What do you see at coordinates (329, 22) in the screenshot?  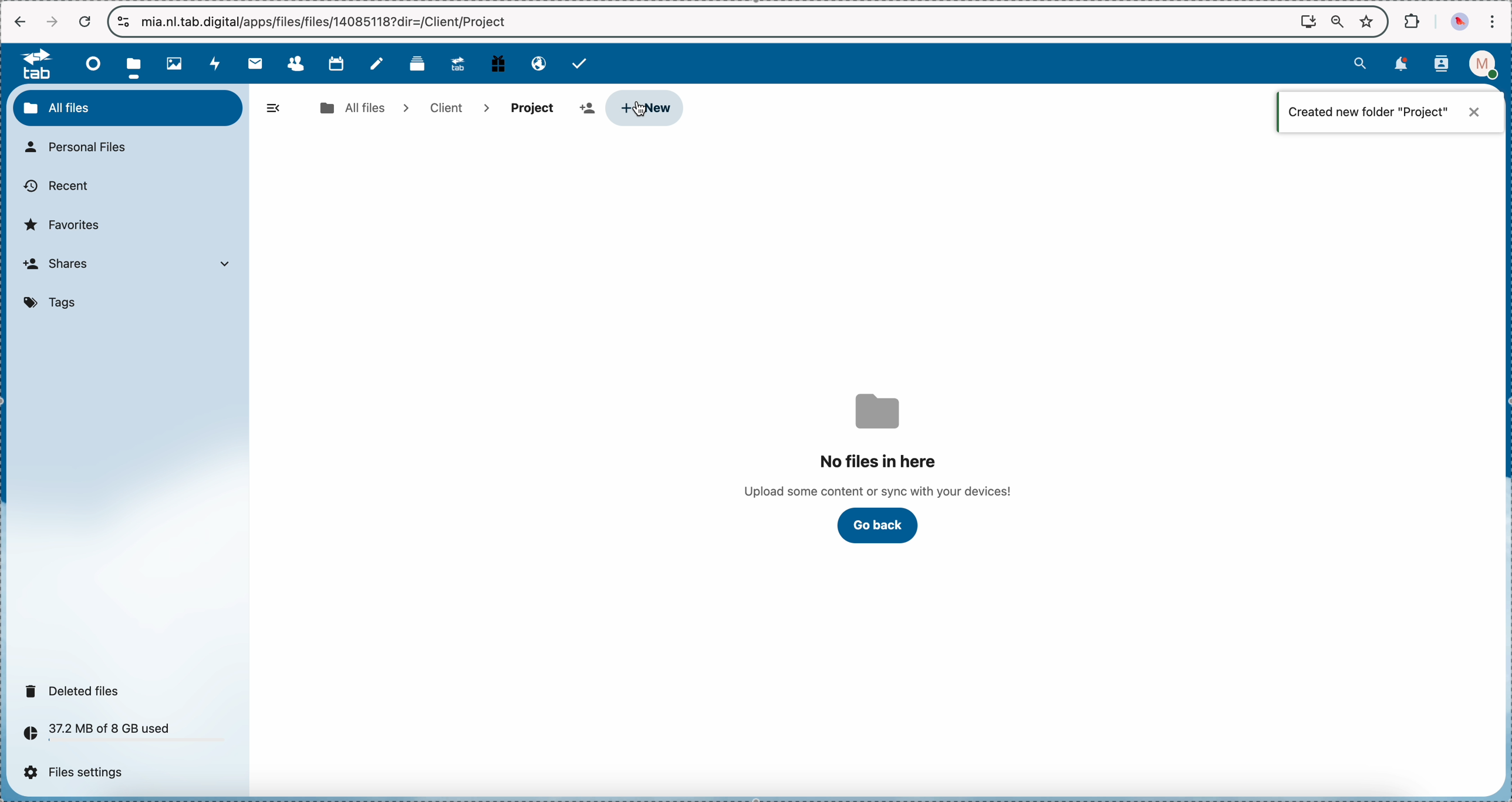 I see `url` at bounding box center [329, 22].